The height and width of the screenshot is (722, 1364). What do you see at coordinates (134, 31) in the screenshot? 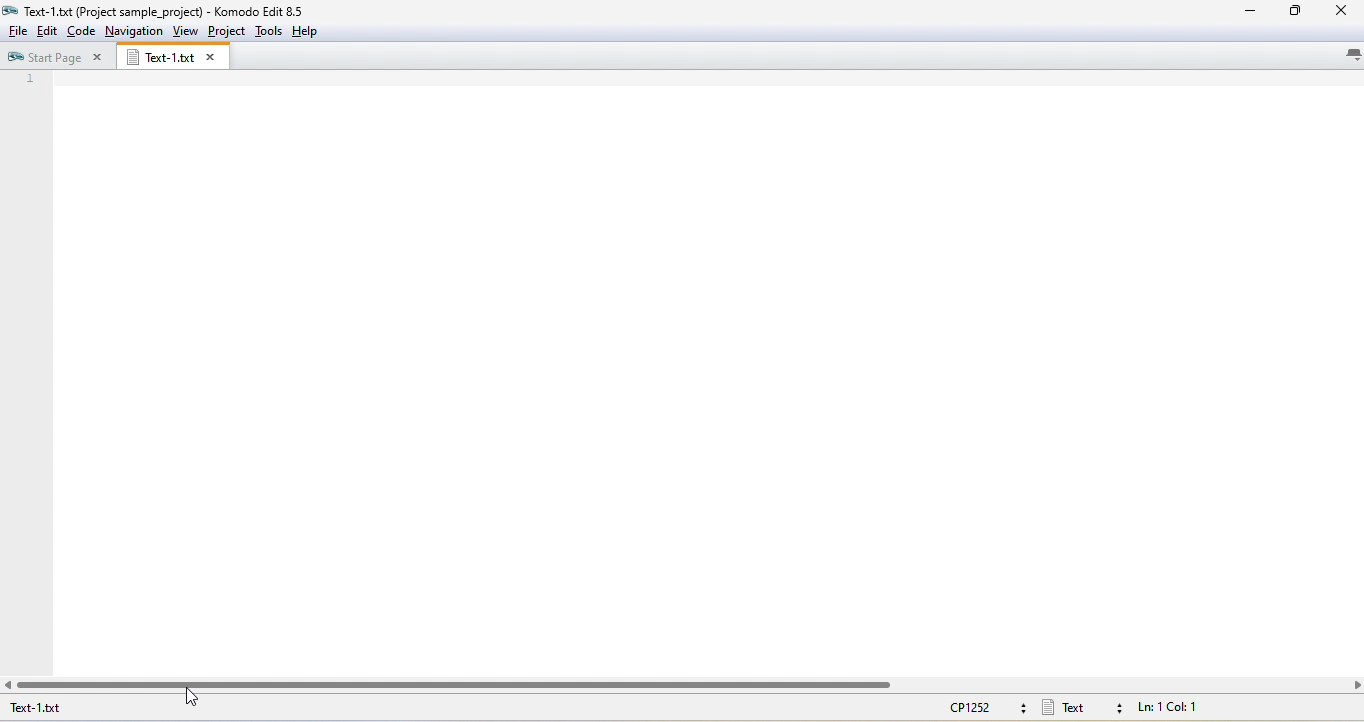
I see `navigation` at bounding box center [134, 31].